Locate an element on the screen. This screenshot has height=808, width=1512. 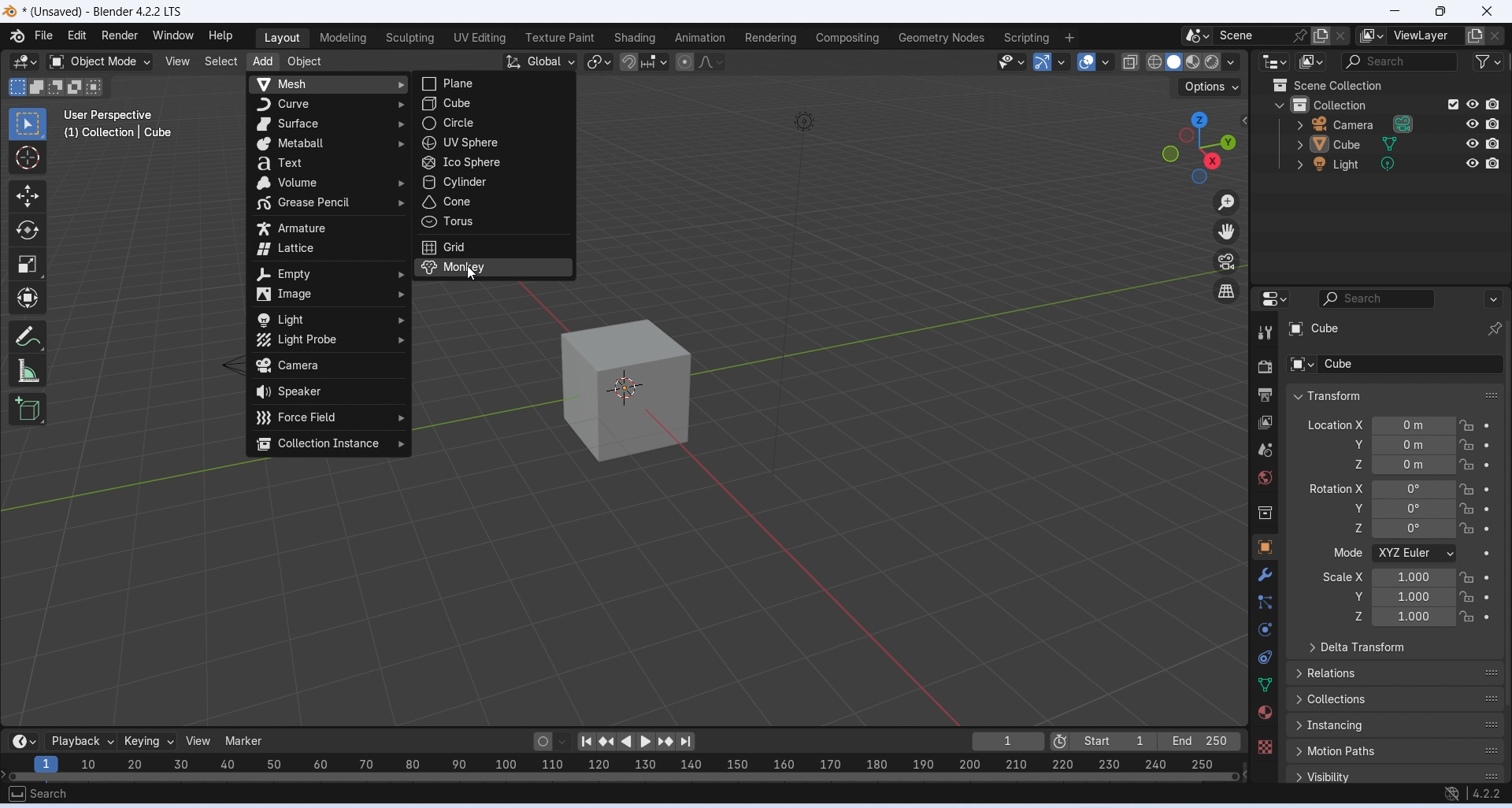
filter is located at coordinates (1488, 61).